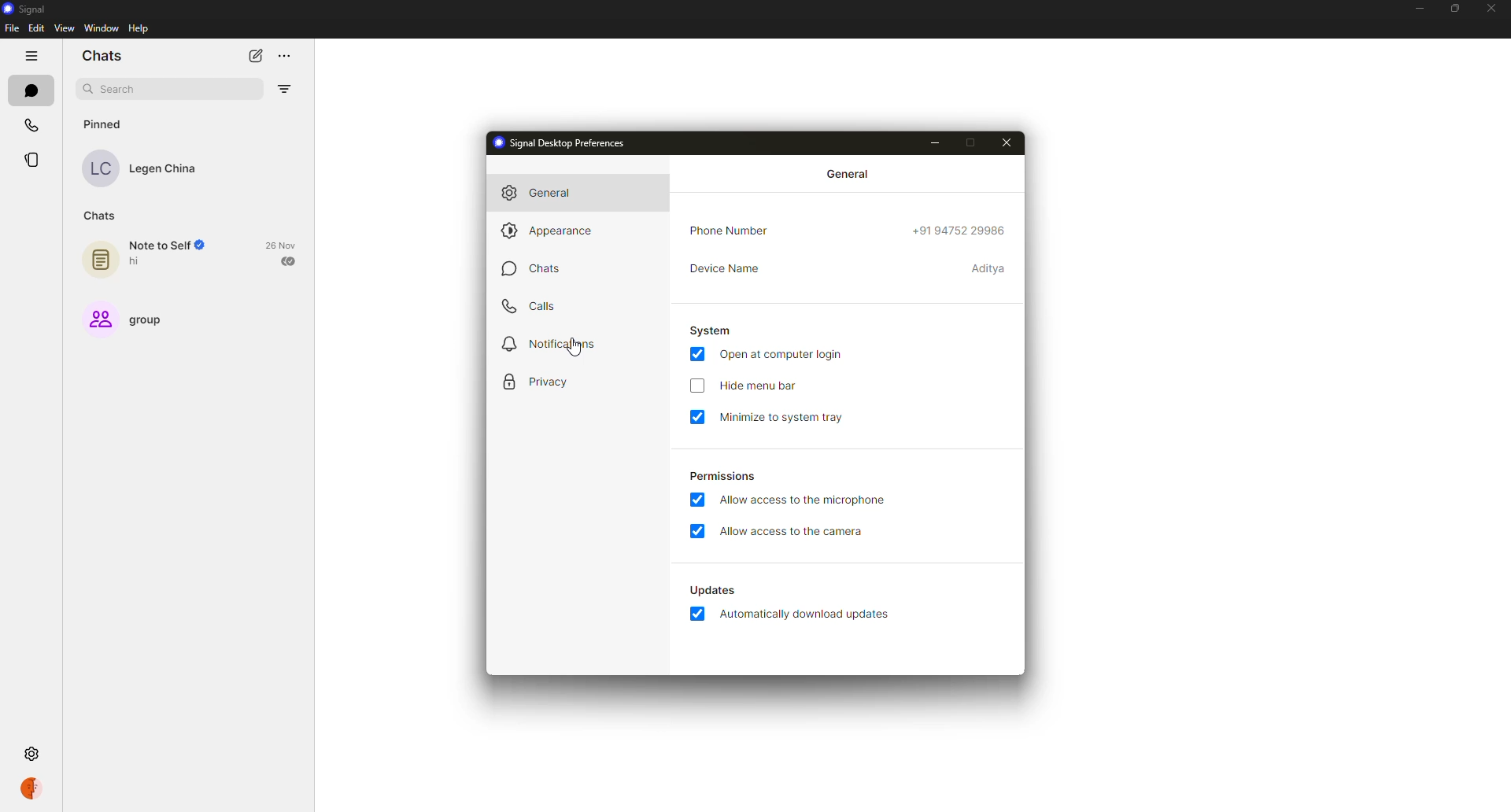 The width and height of the screenshot is (1511, 812). Describe the element at coordinates (102, 214) in the screenshot. I see `chats` at that location.